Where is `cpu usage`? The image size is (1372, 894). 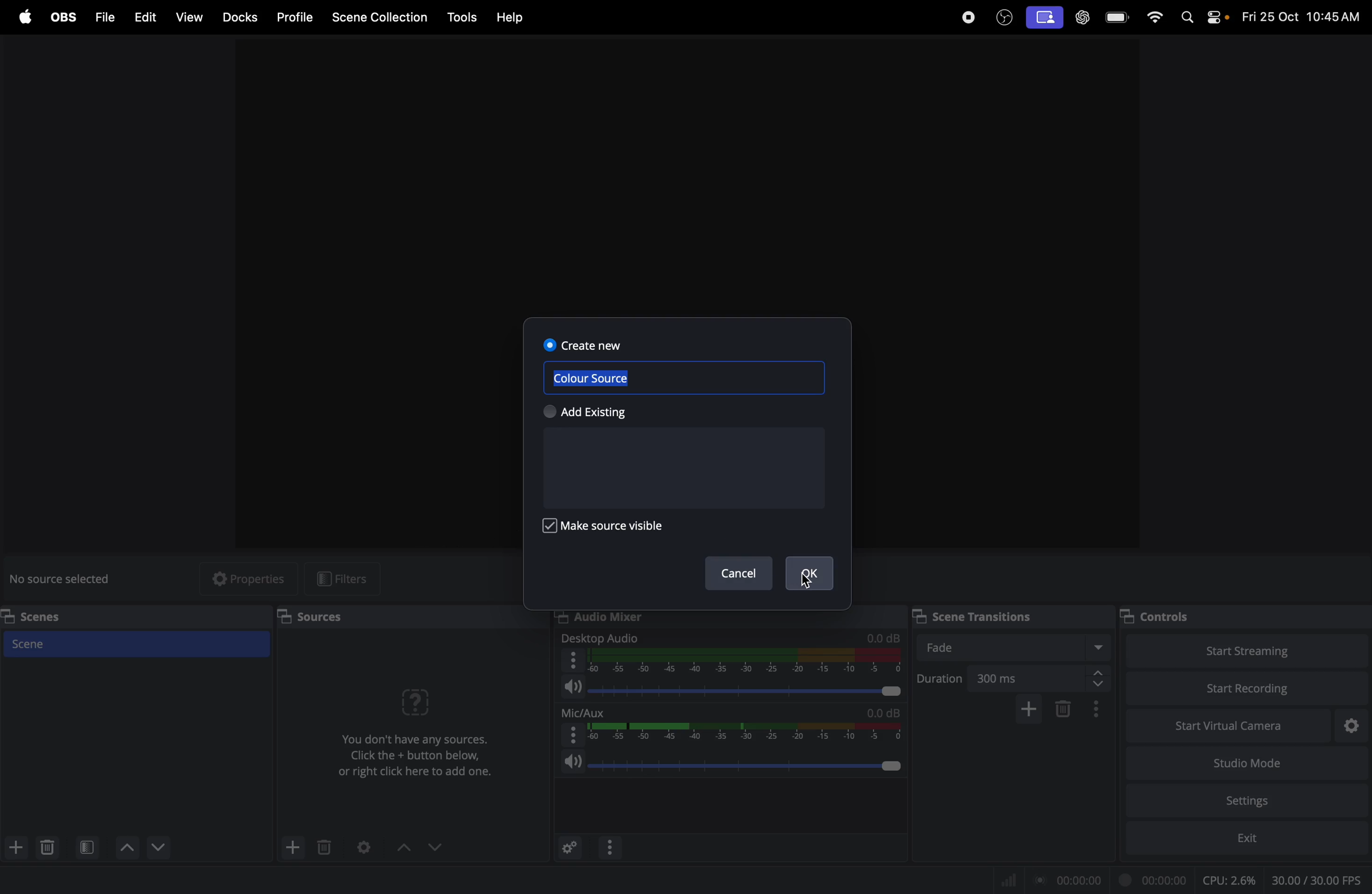 cpu usage is located at coordinates (1232, 878).